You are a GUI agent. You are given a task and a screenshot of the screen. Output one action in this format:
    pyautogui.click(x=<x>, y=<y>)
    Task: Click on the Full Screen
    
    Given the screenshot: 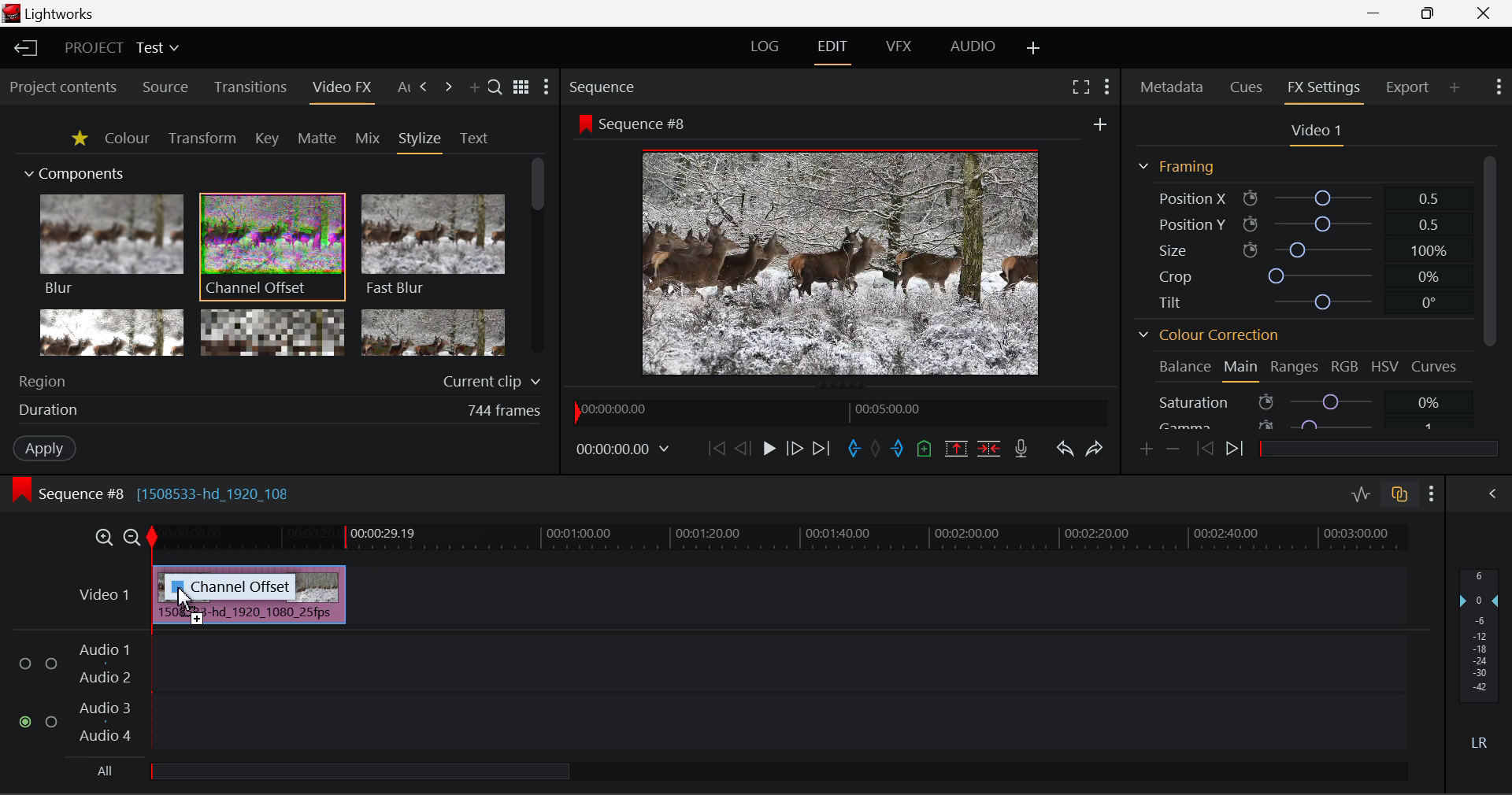 What is the action you would take?
    pyautogui.click(x=1080, y=89)
    